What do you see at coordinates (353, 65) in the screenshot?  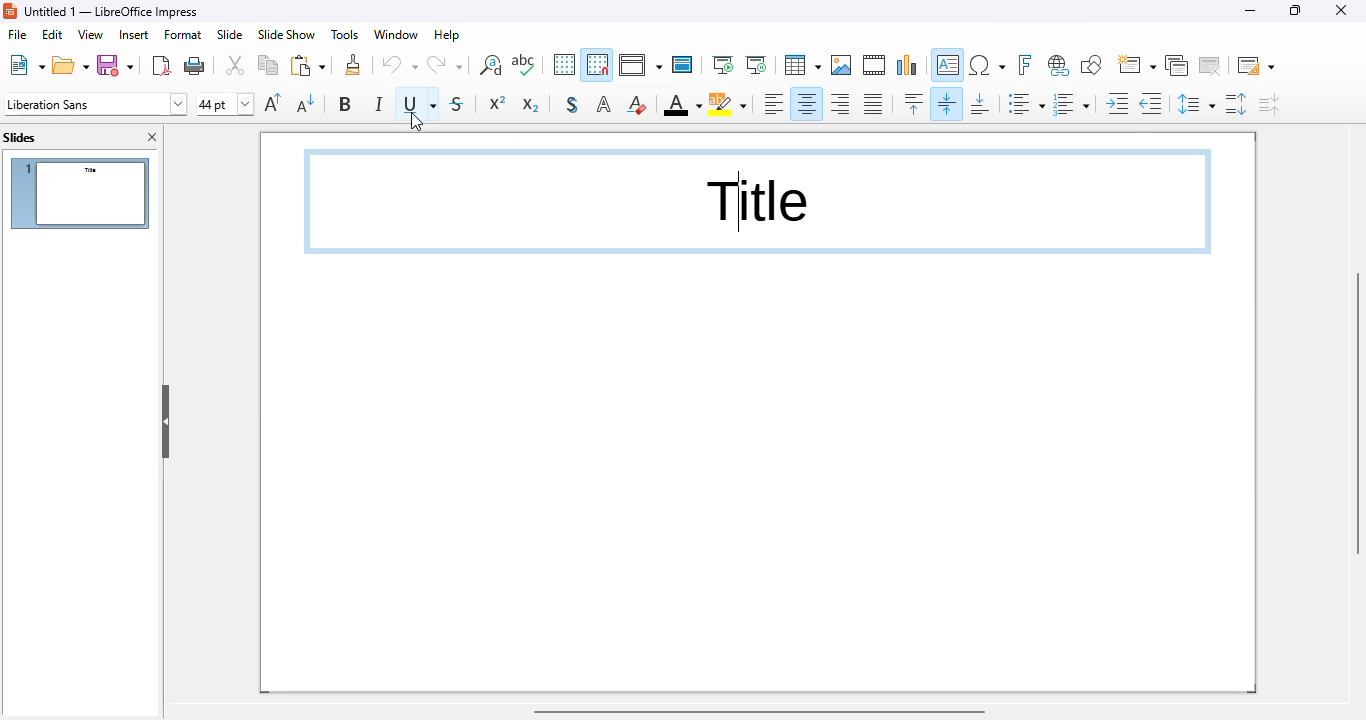 I see `clone formatting` at bounding box center [353, 65].